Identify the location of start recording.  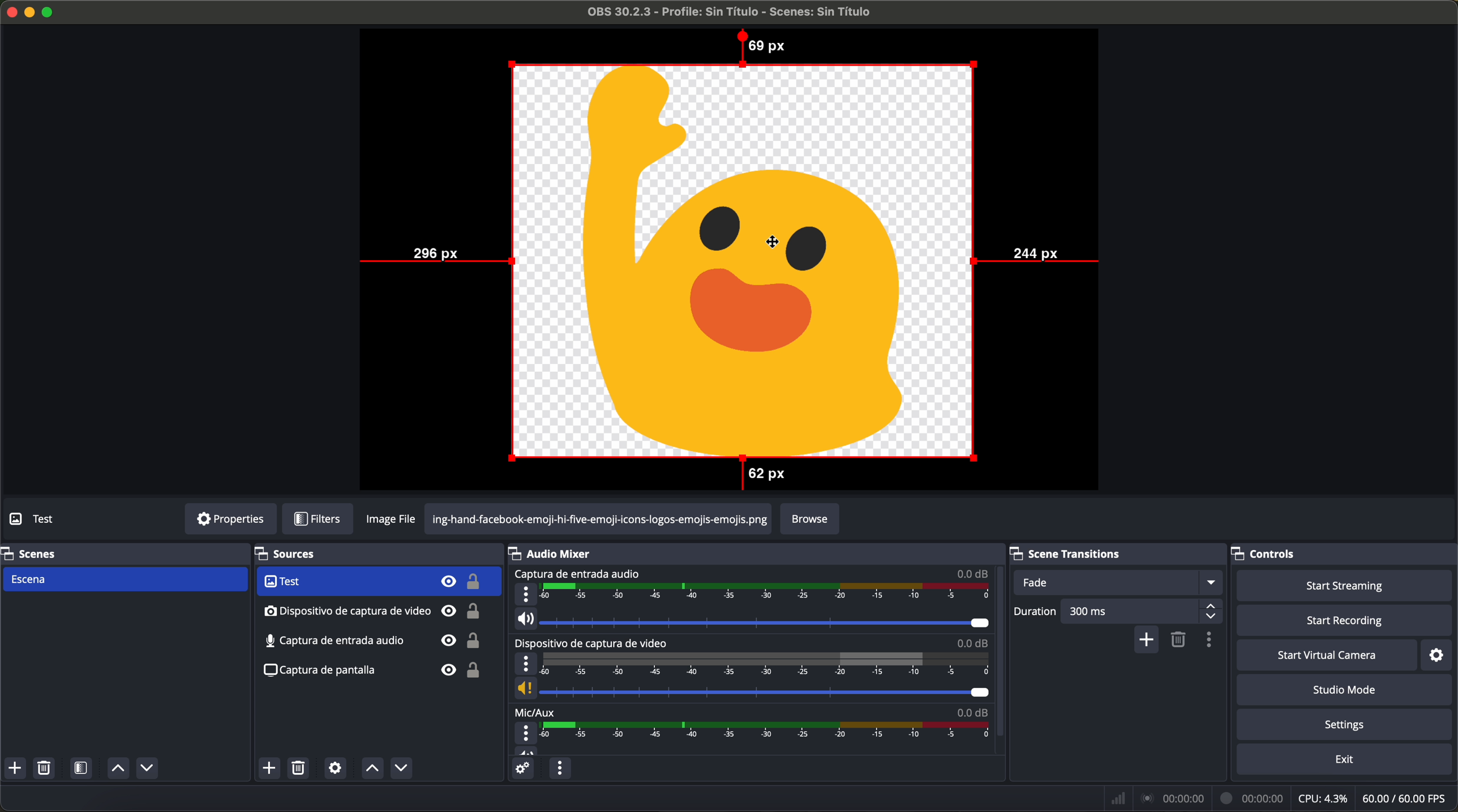
(1346, 621).